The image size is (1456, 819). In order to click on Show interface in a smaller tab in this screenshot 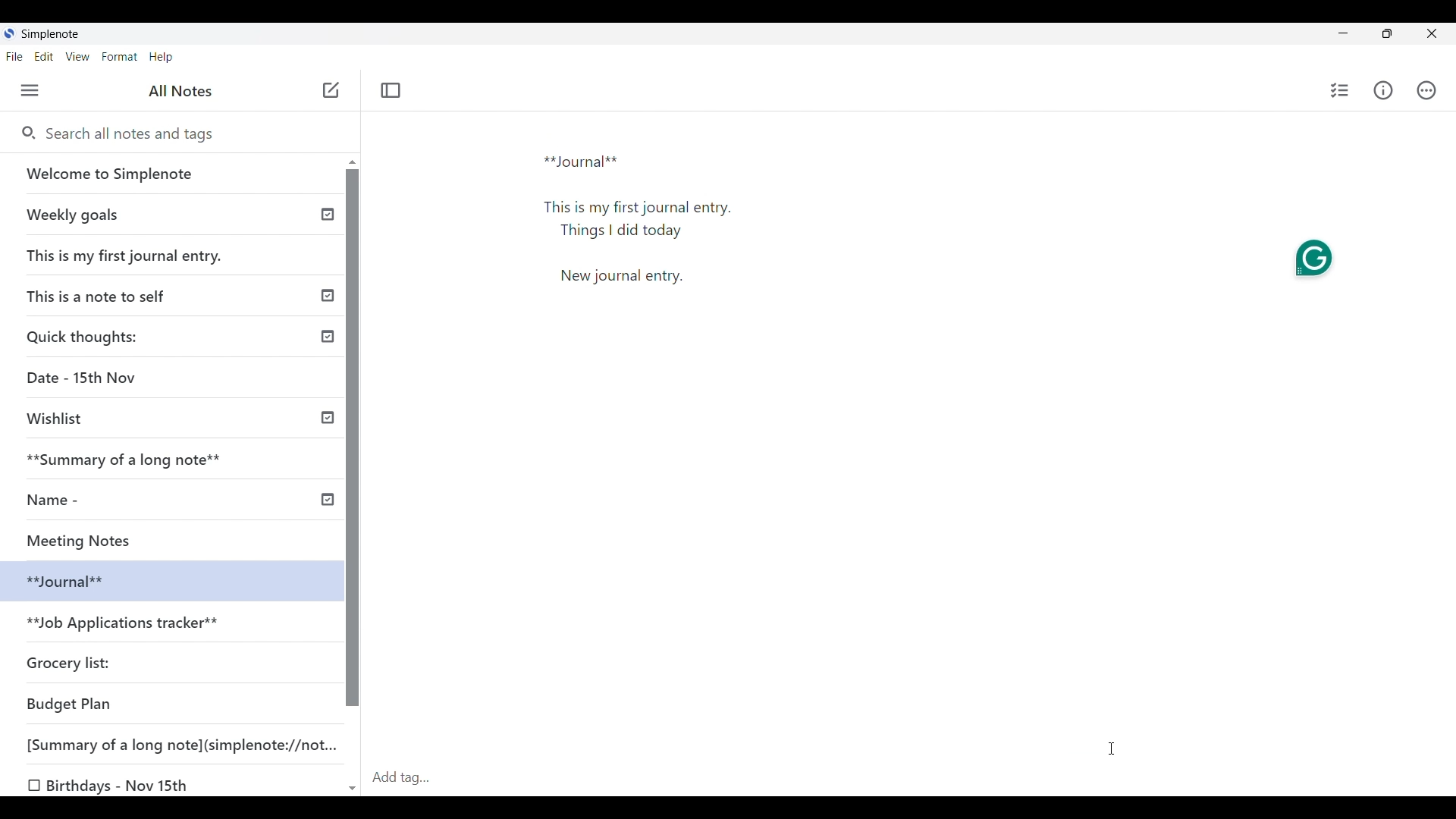, I will do `click(1387, 33)`.